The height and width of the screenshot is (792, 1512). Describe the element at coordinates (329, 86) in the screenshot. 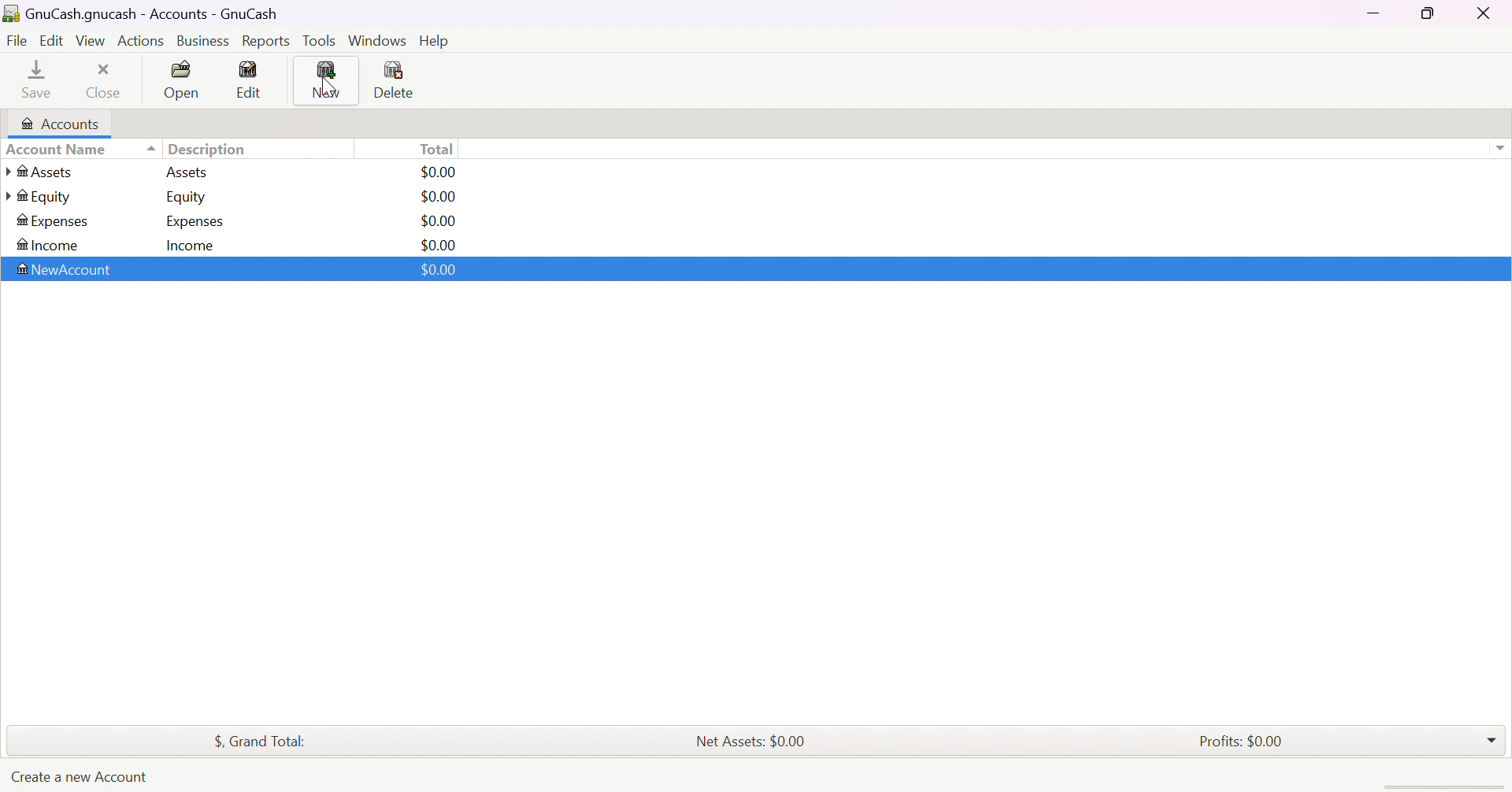

I see `Cursor` at that location.